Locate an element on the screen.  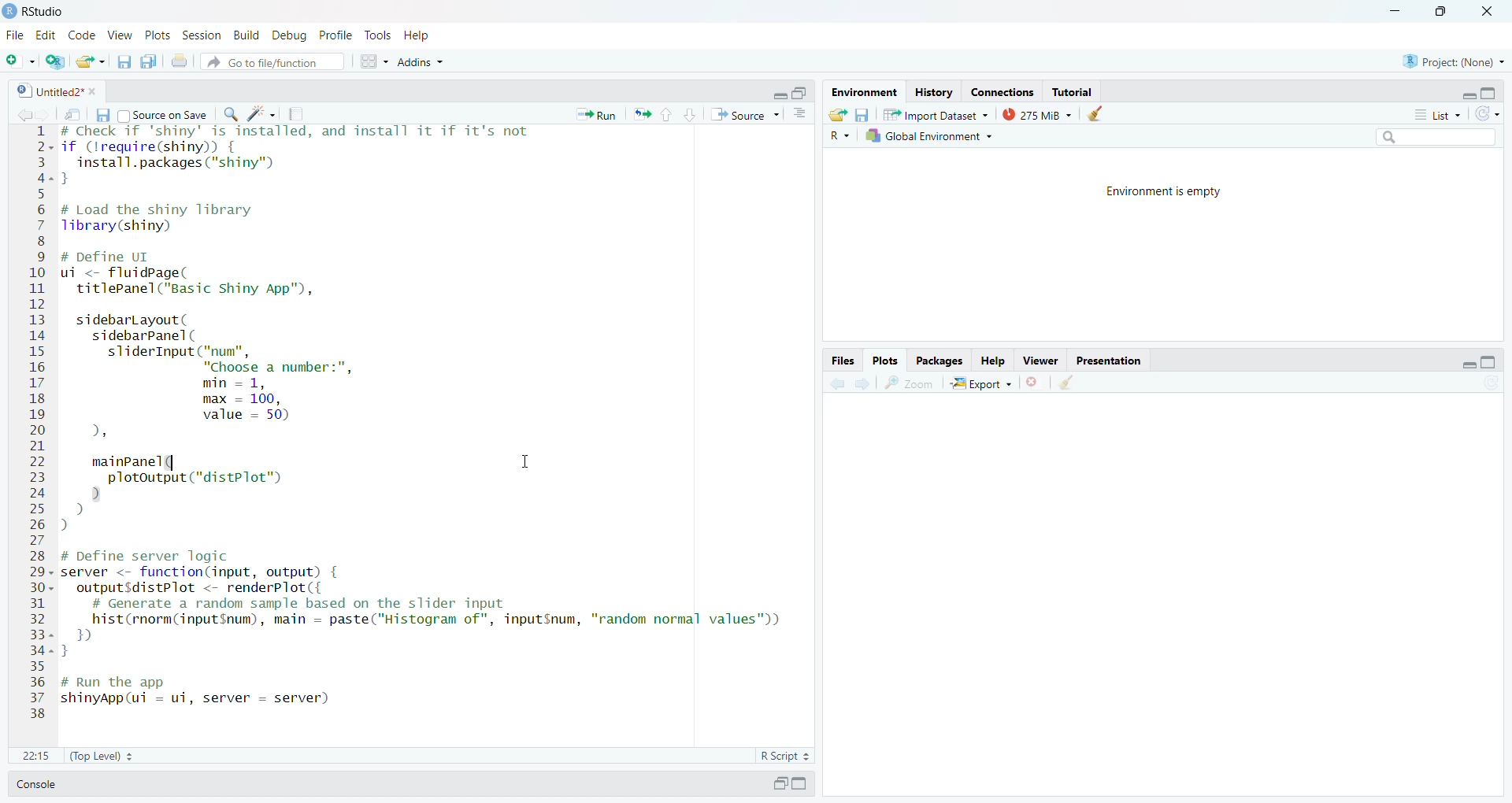
275 Mib is located at coordinates (1038, 113).